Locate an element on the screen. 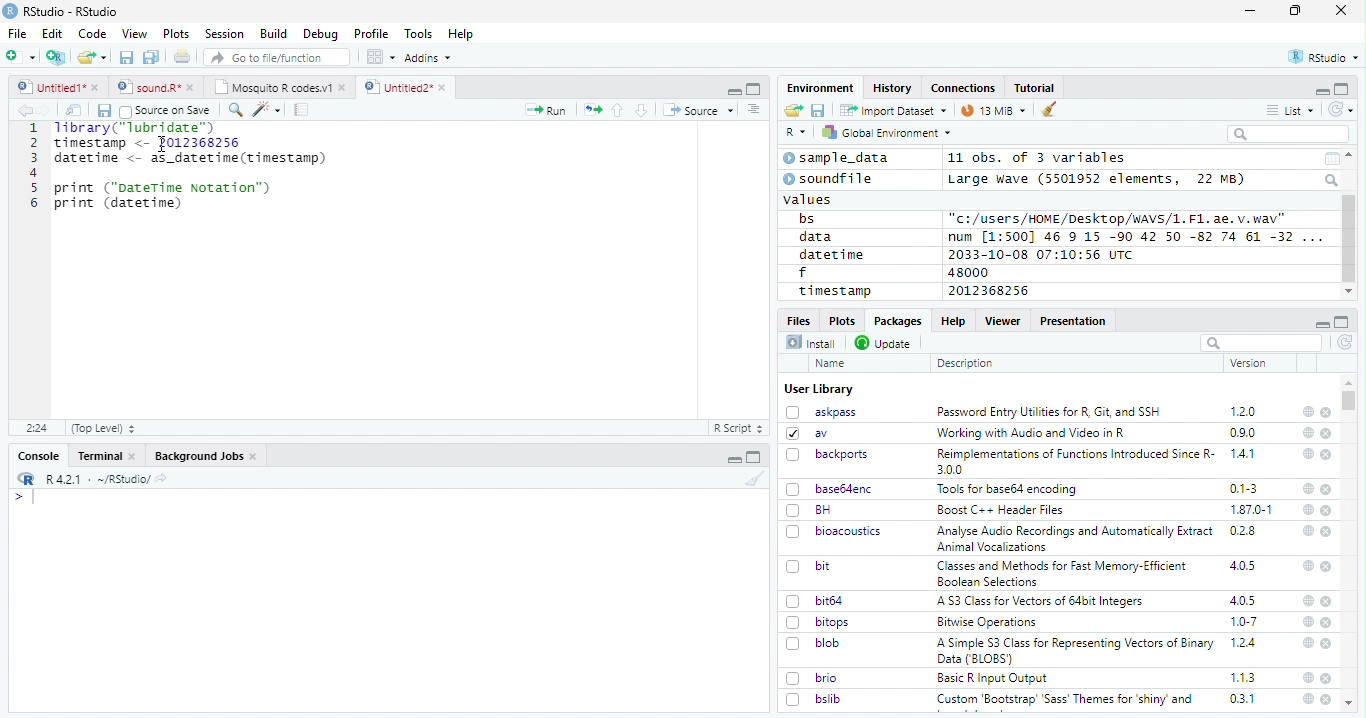  48000 is located at coordinates (966, 272).